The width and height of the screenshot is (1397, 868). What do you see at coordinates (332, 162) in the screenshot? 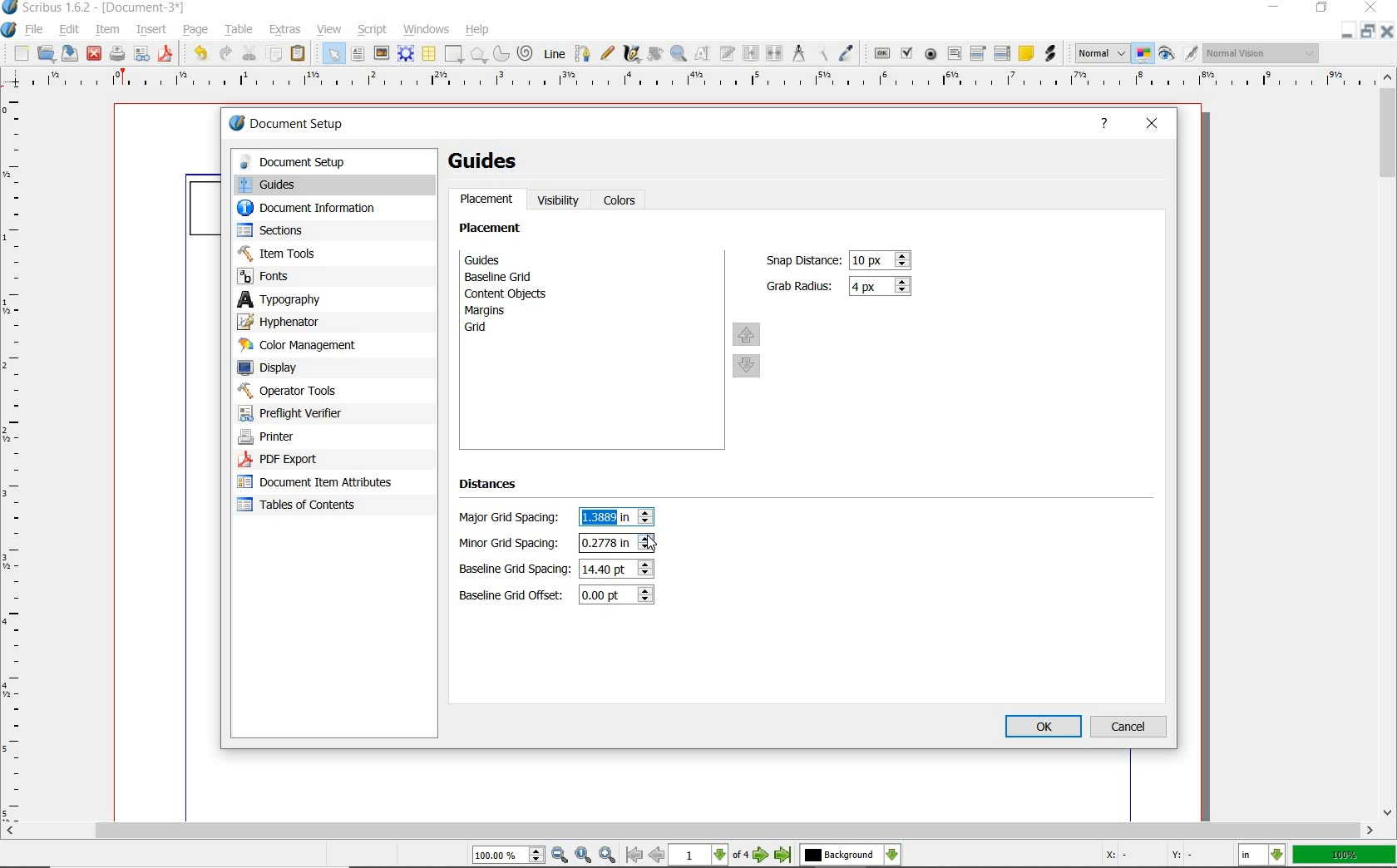
I see `document setup` at bounding box center [332, 162].